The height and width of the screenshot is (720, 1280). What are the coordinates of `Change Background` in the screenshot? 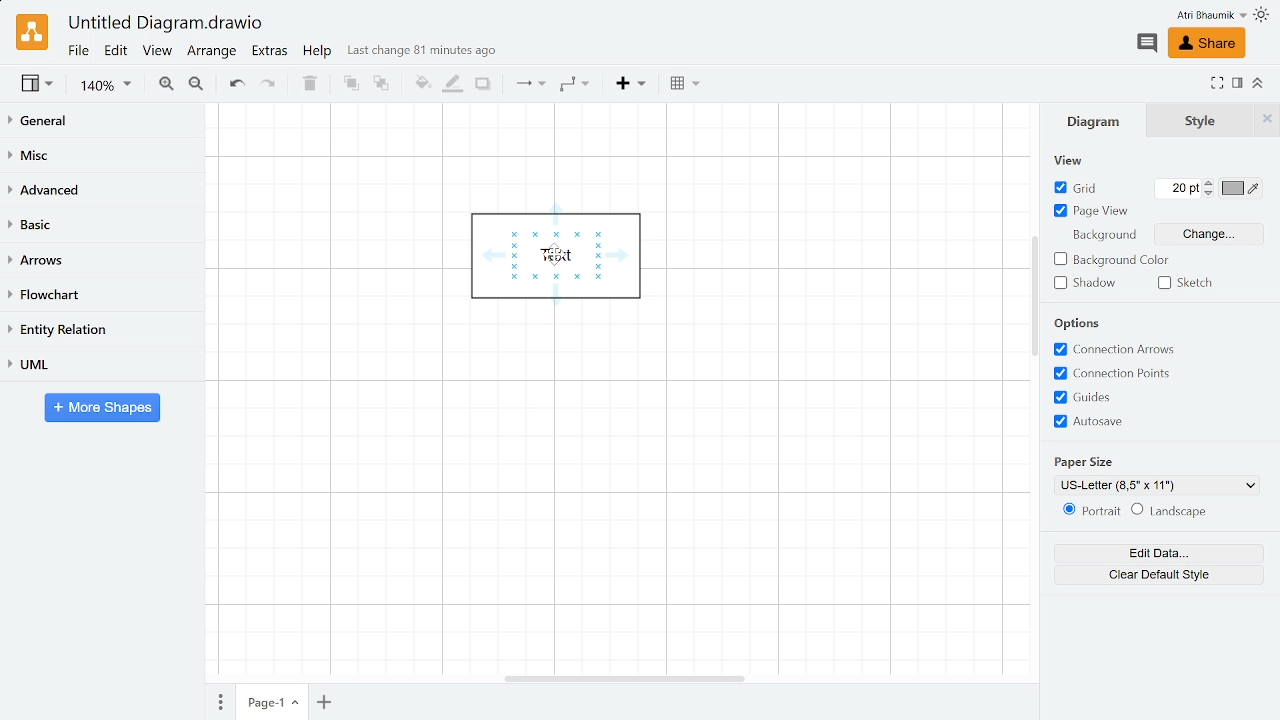 It's located at (1207, 234).